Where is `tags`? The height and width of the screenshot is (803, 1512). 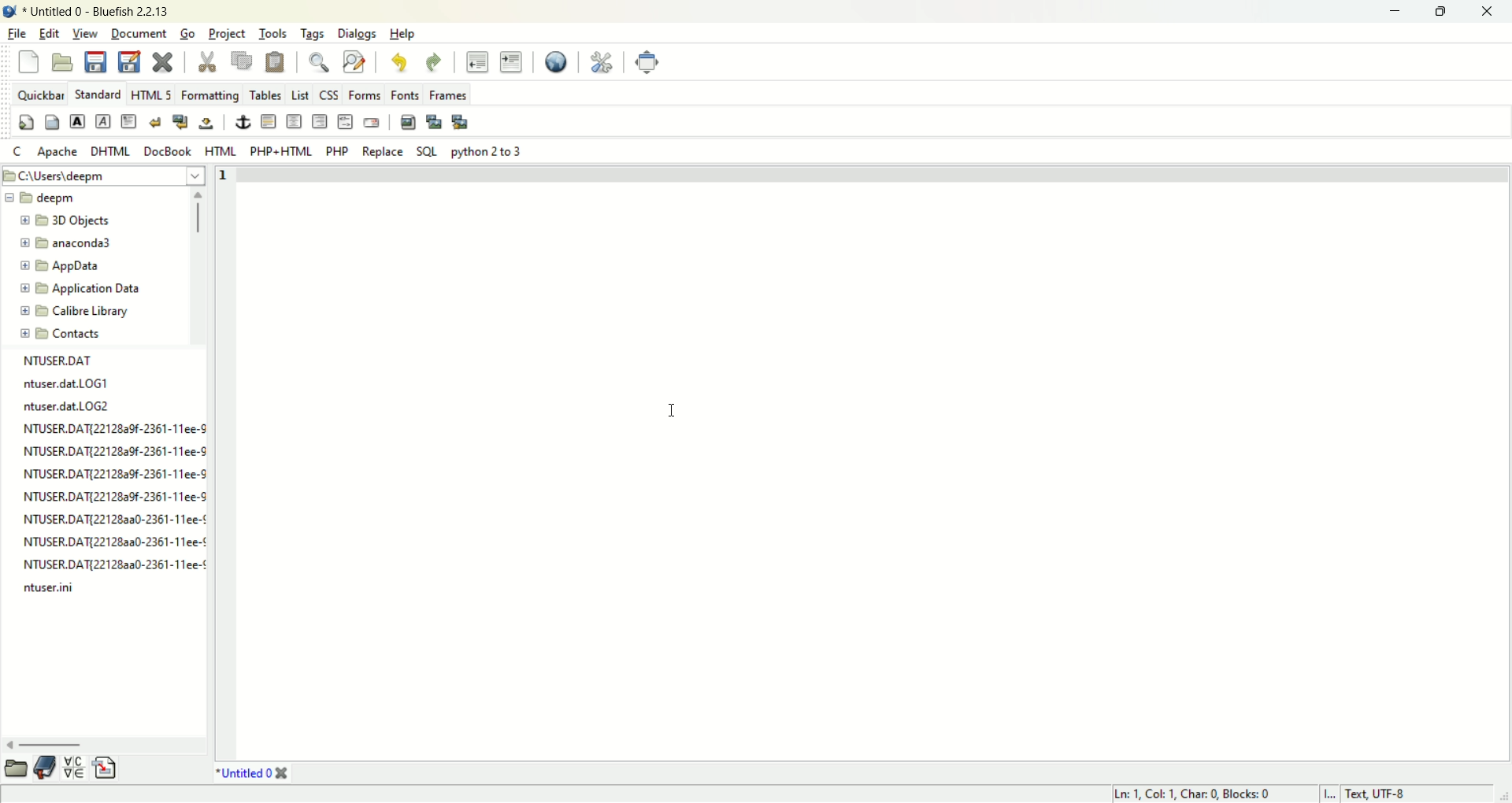
tags is located at coordinates (311, 32).